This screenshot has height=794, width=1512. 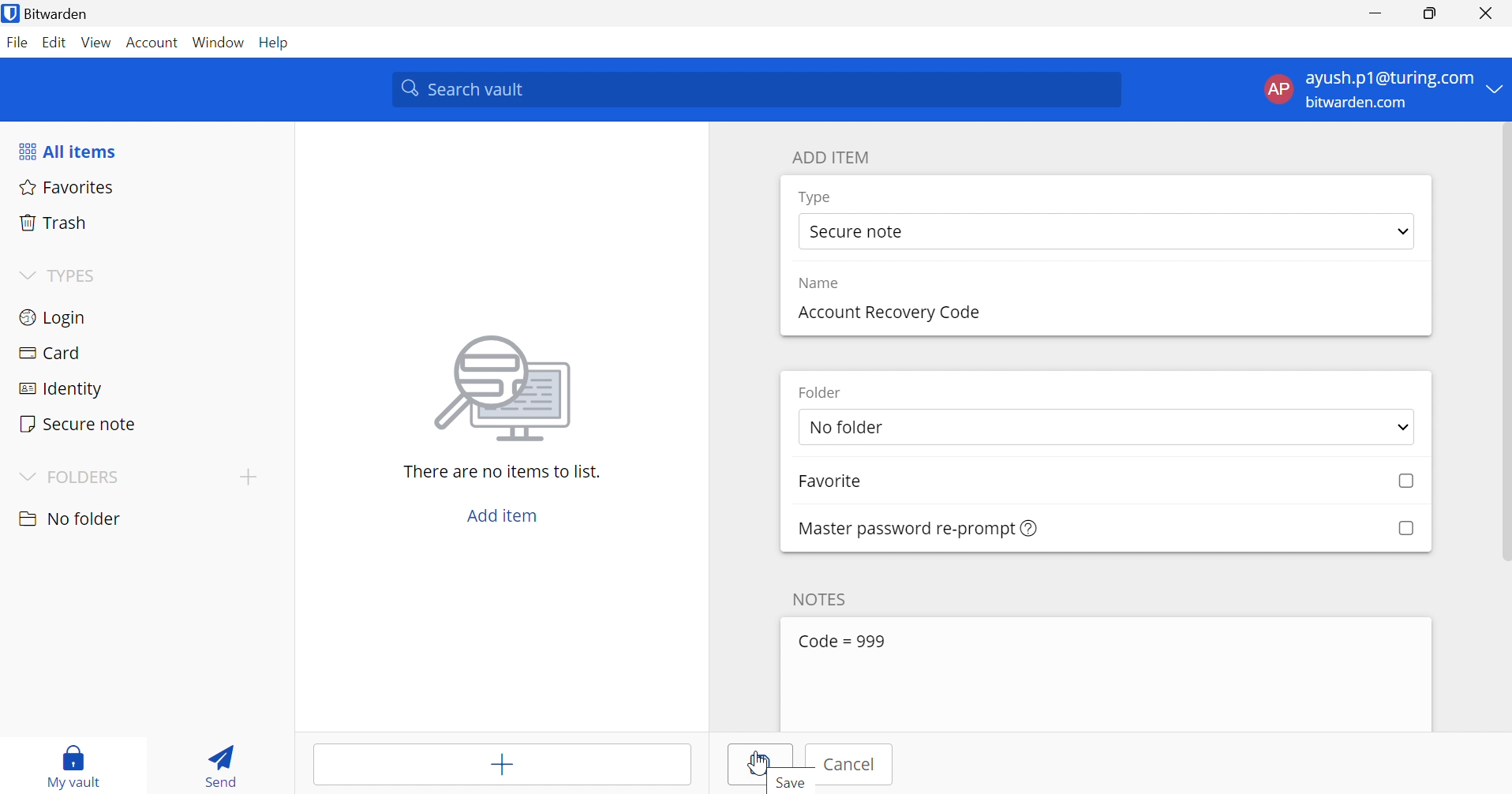 What do you see at coordinates (825, 597) in the screenshot?
I see `NOTES` at bounding box center [825, 597].